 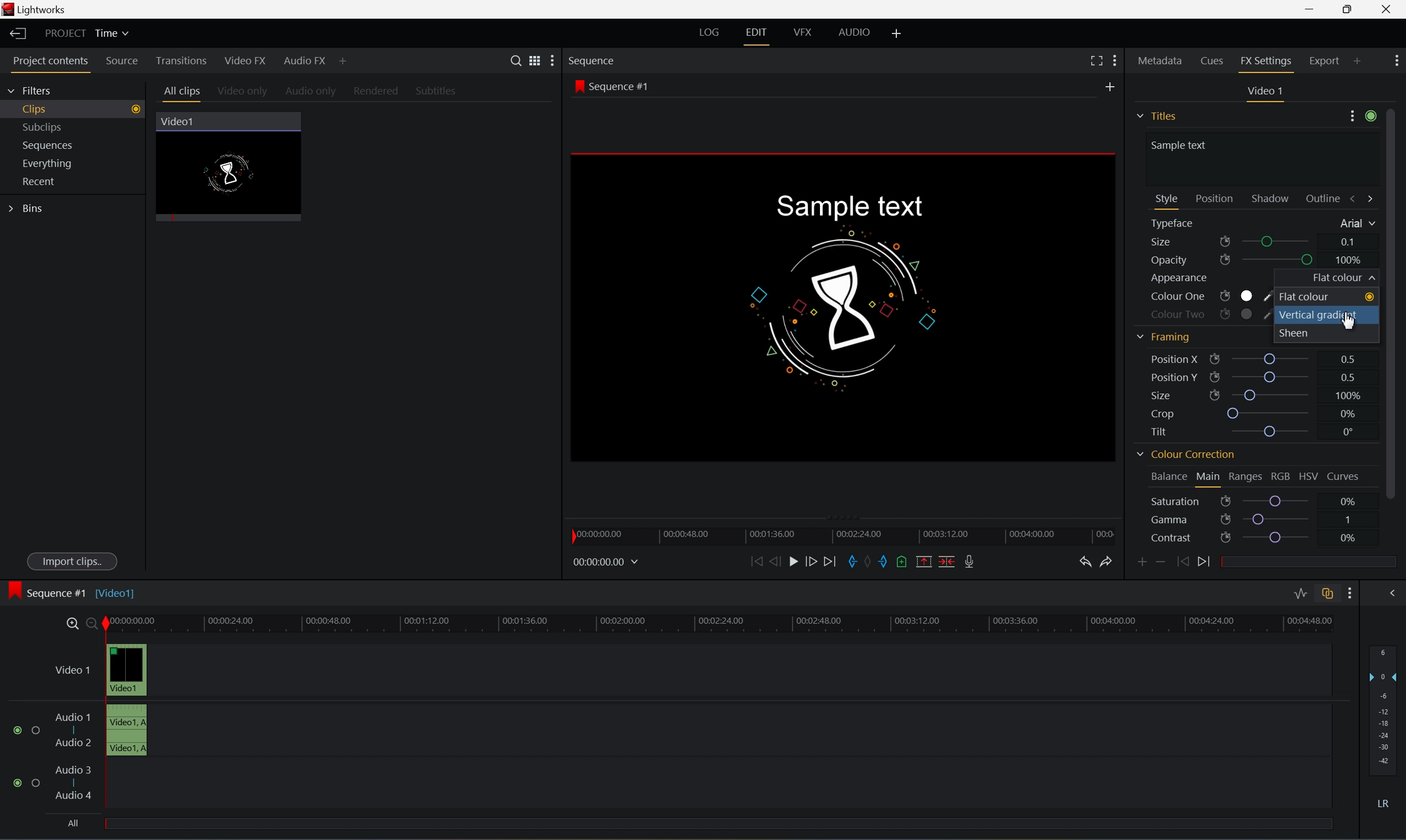 I want to click on Audio 3, so click(x=73, y=769).